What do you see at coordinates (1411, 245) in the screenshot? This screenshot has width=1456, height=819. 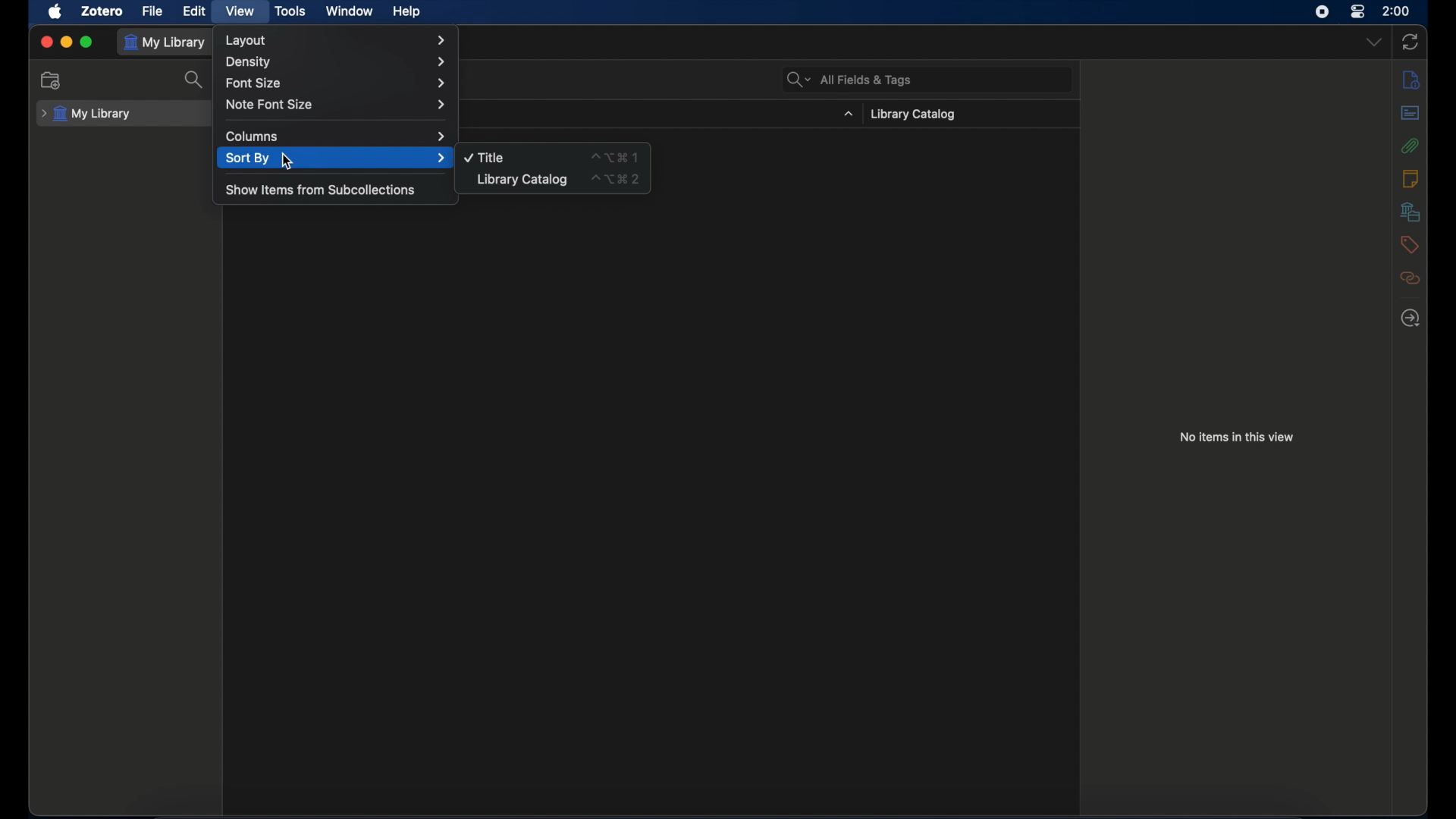 I see `tags` at bounding box center [1411, 245].